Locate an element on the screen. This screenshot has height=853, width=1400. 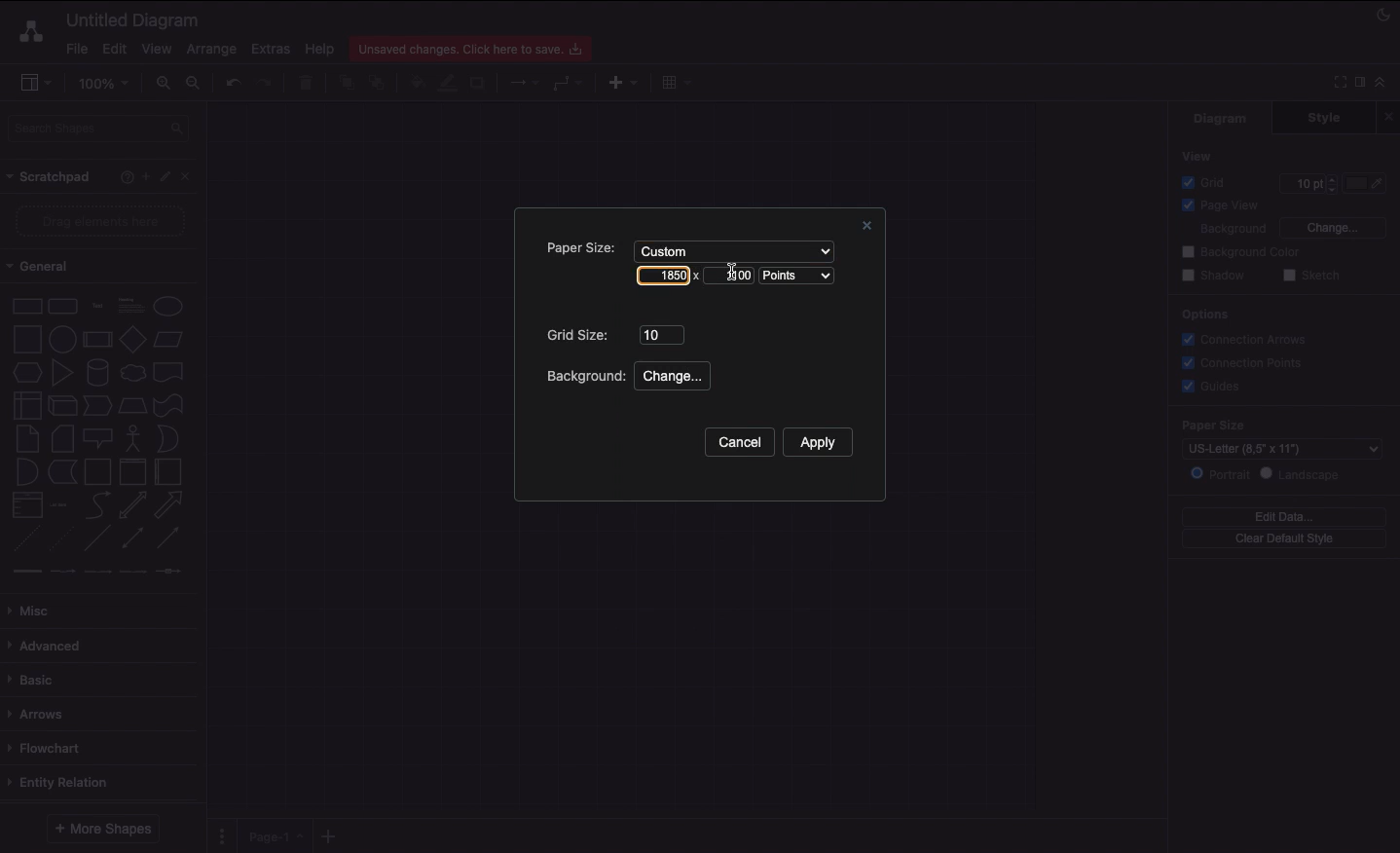
File is located at coordinates (75, 49).